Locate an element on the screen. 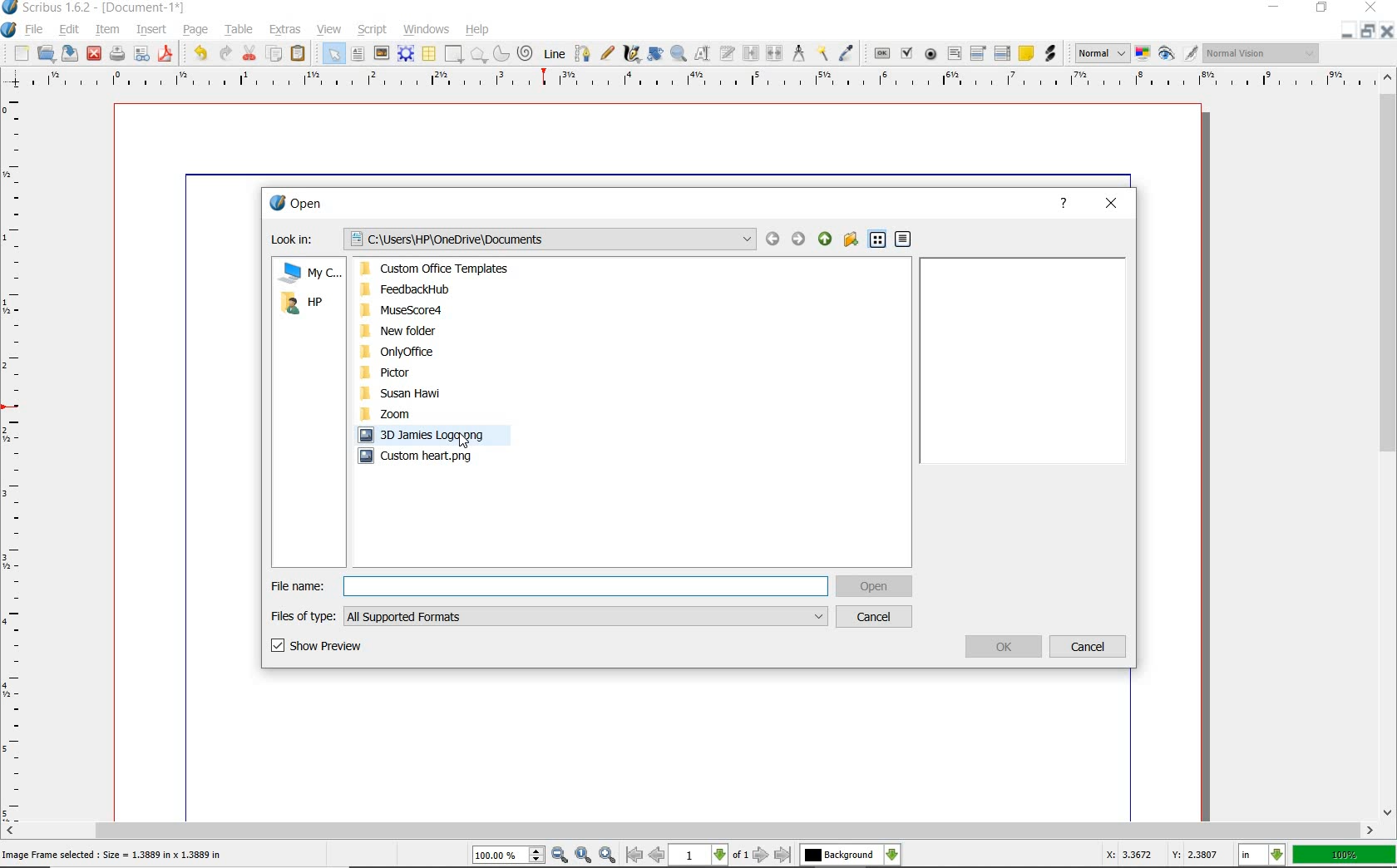 This screenshot has width=1397, height=868. save as pdf is located at coordinates (166, 53).